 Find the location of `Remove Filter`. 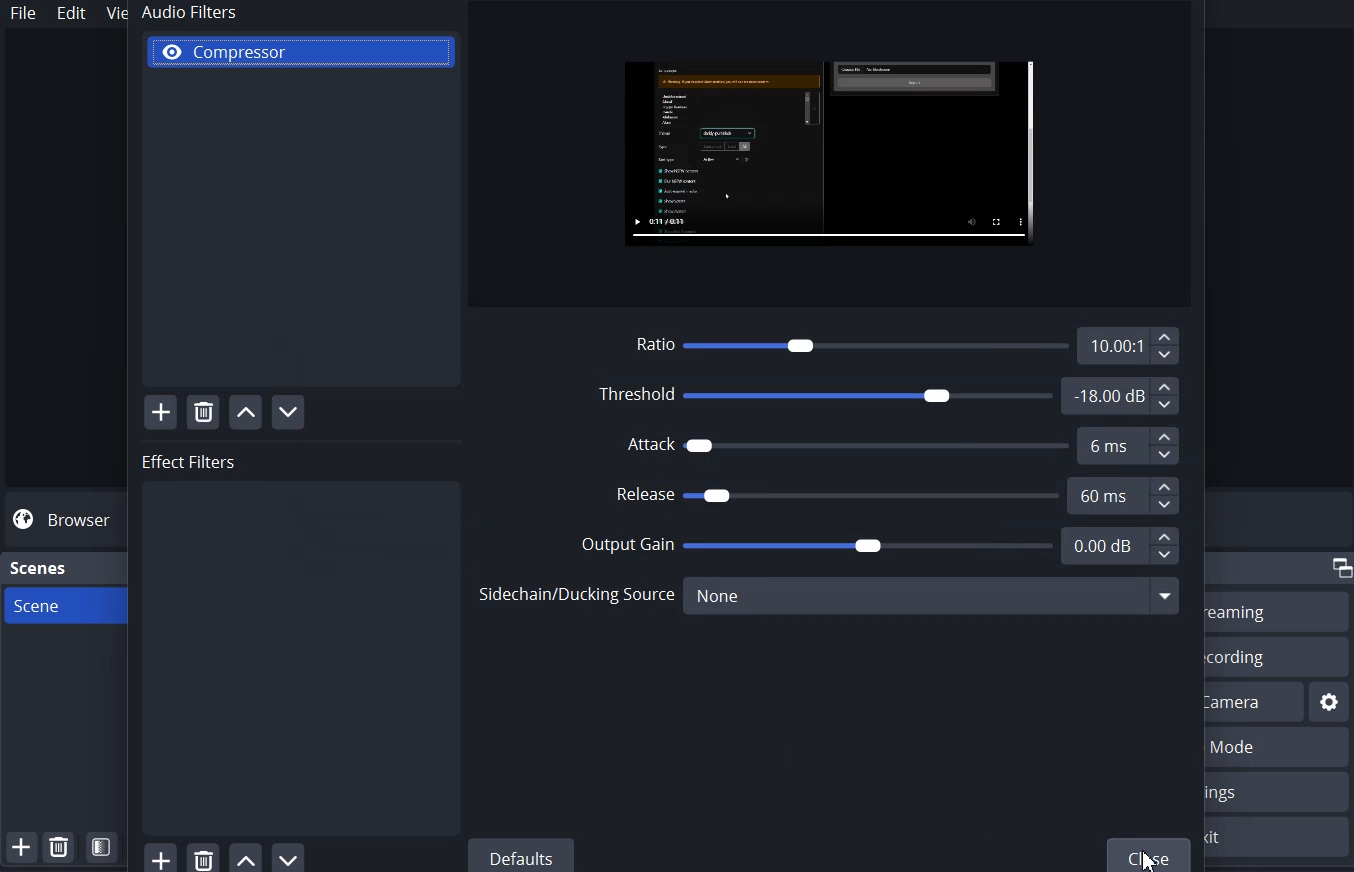

Remove Filter is located at coordinates (205, 411).